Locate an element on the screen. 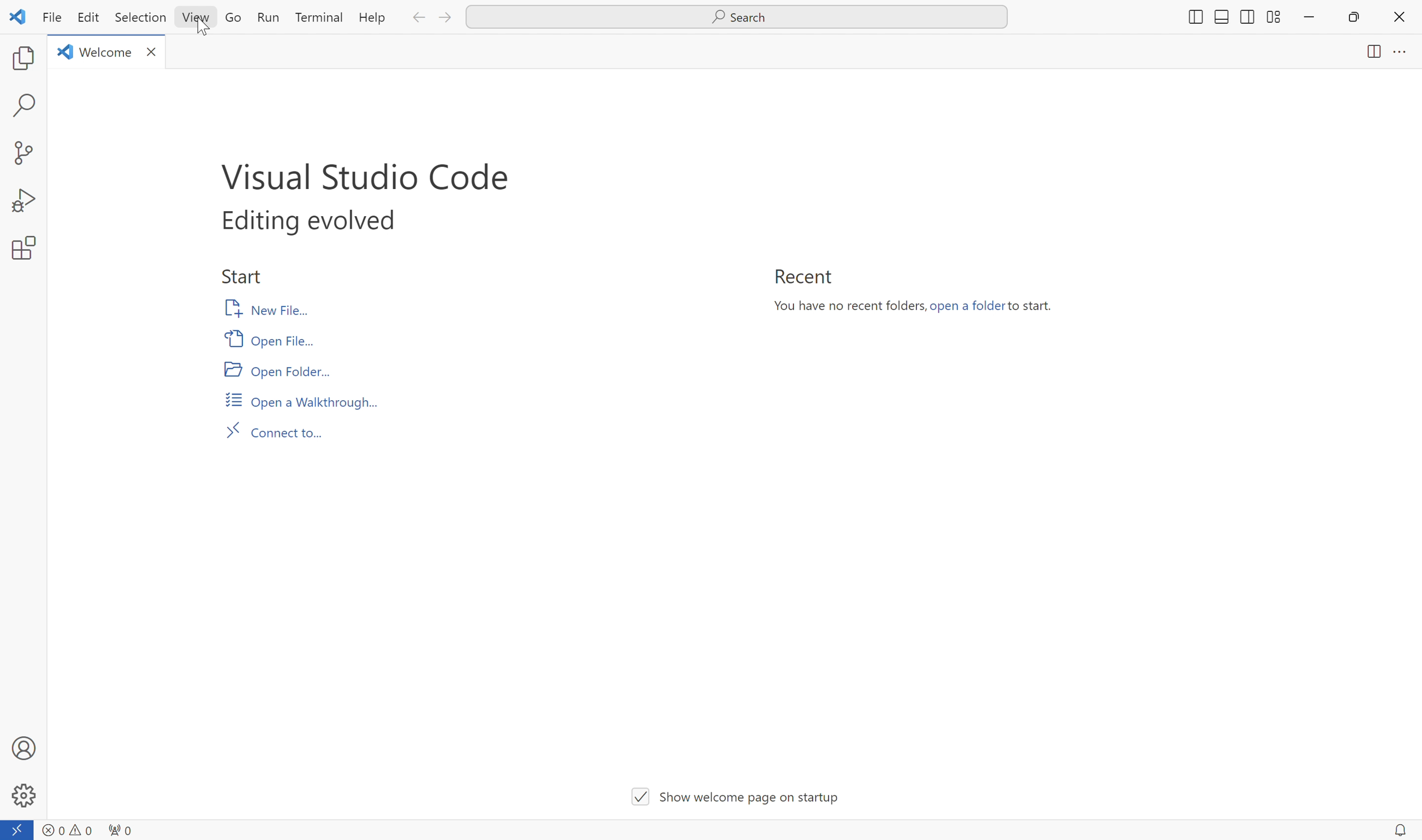 This screenshot has width=1422, height=840. back is located at coordinates (420, 19).